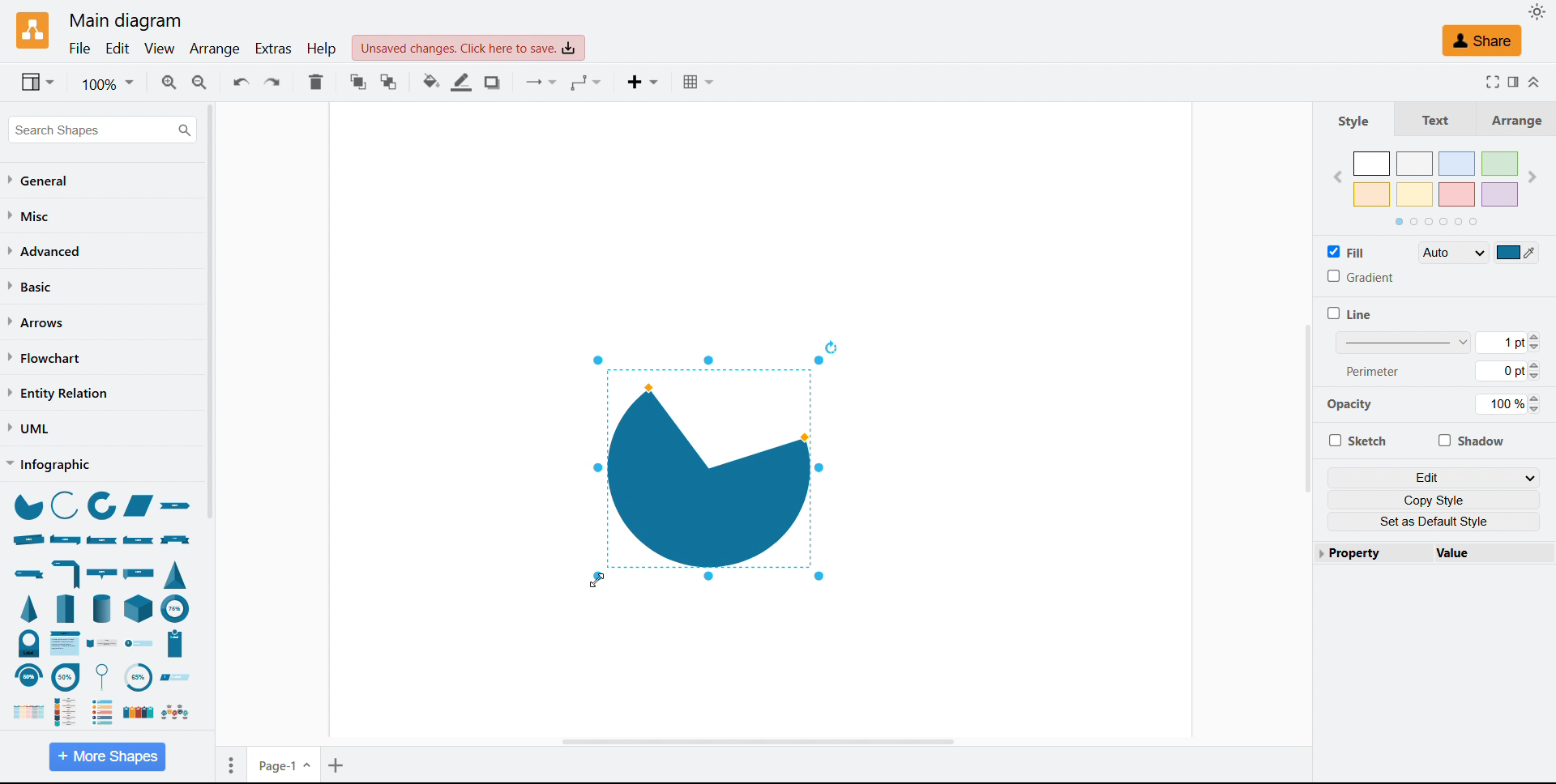  Describe the element at coordinates (1429, 118) in the screenshot. I see `Text ` at that location.